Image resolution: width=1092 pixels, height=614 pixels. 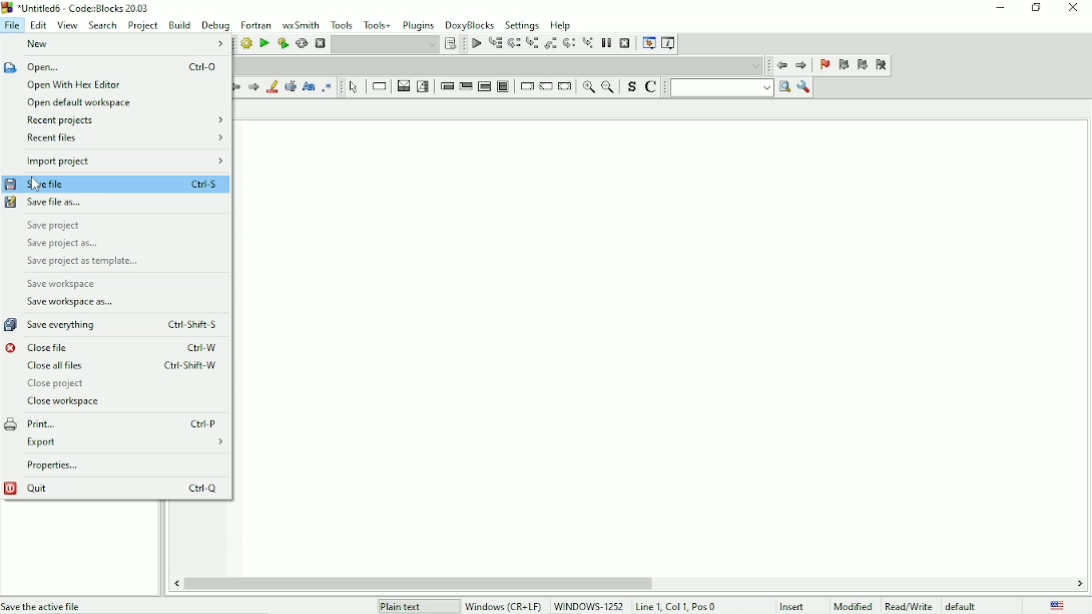 What do you see at coordinates (863, 66) in the screenshot?
I see `Next bookmark` at bounding box center [863, 66].